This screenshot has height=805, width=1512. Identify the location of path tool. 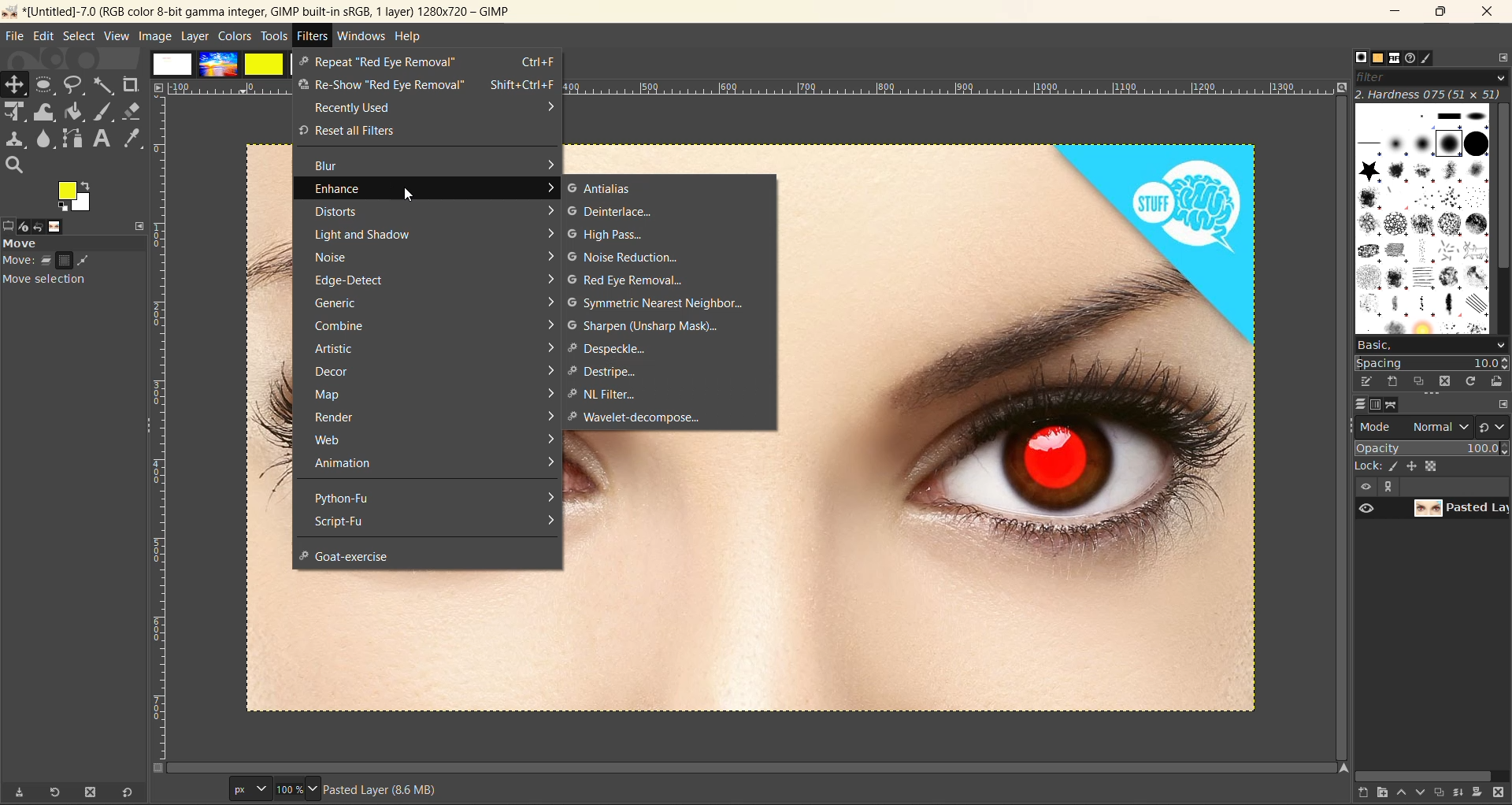
(72, 138).